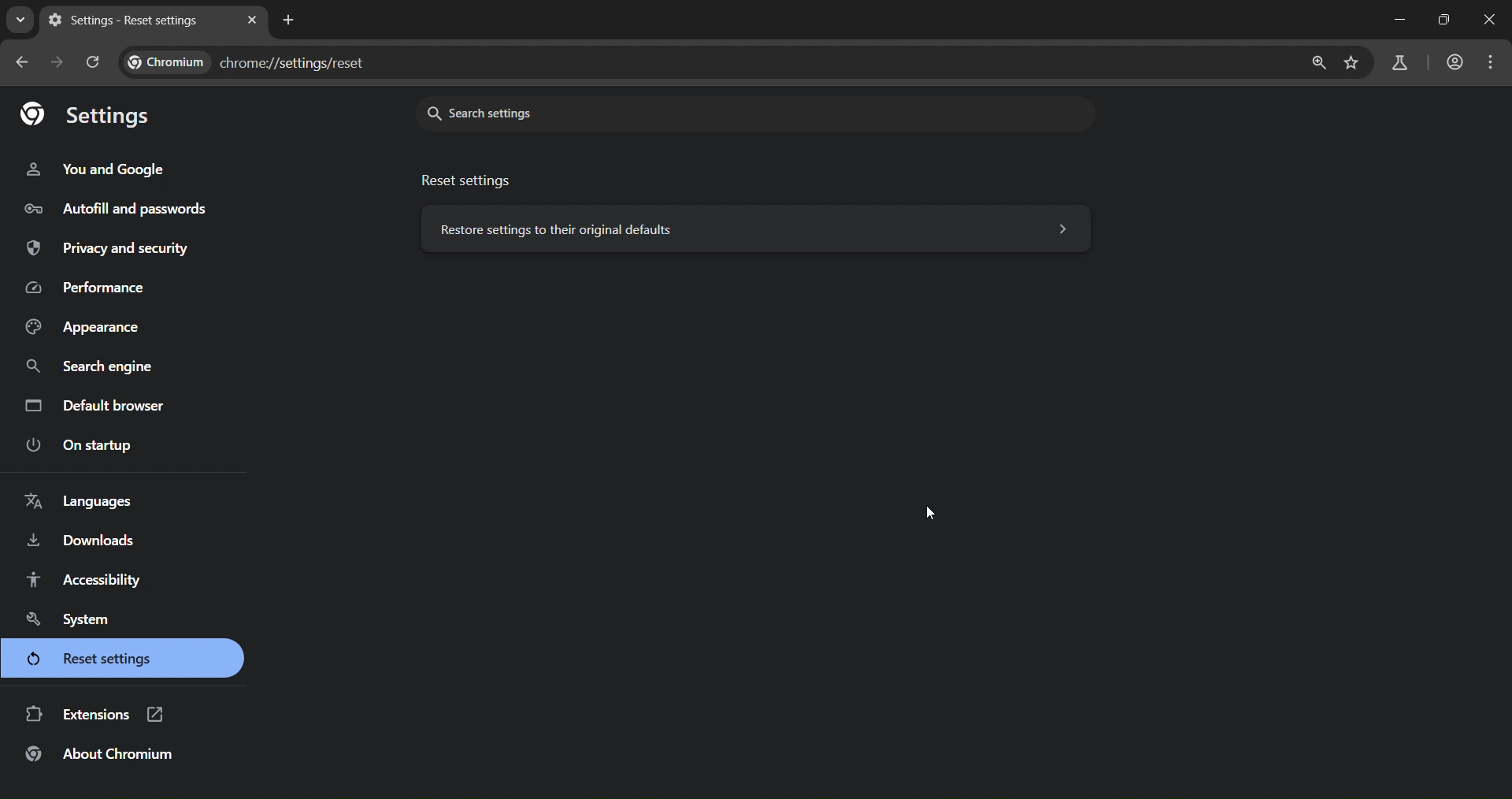  I want to click on on startup, so click(85, 444).